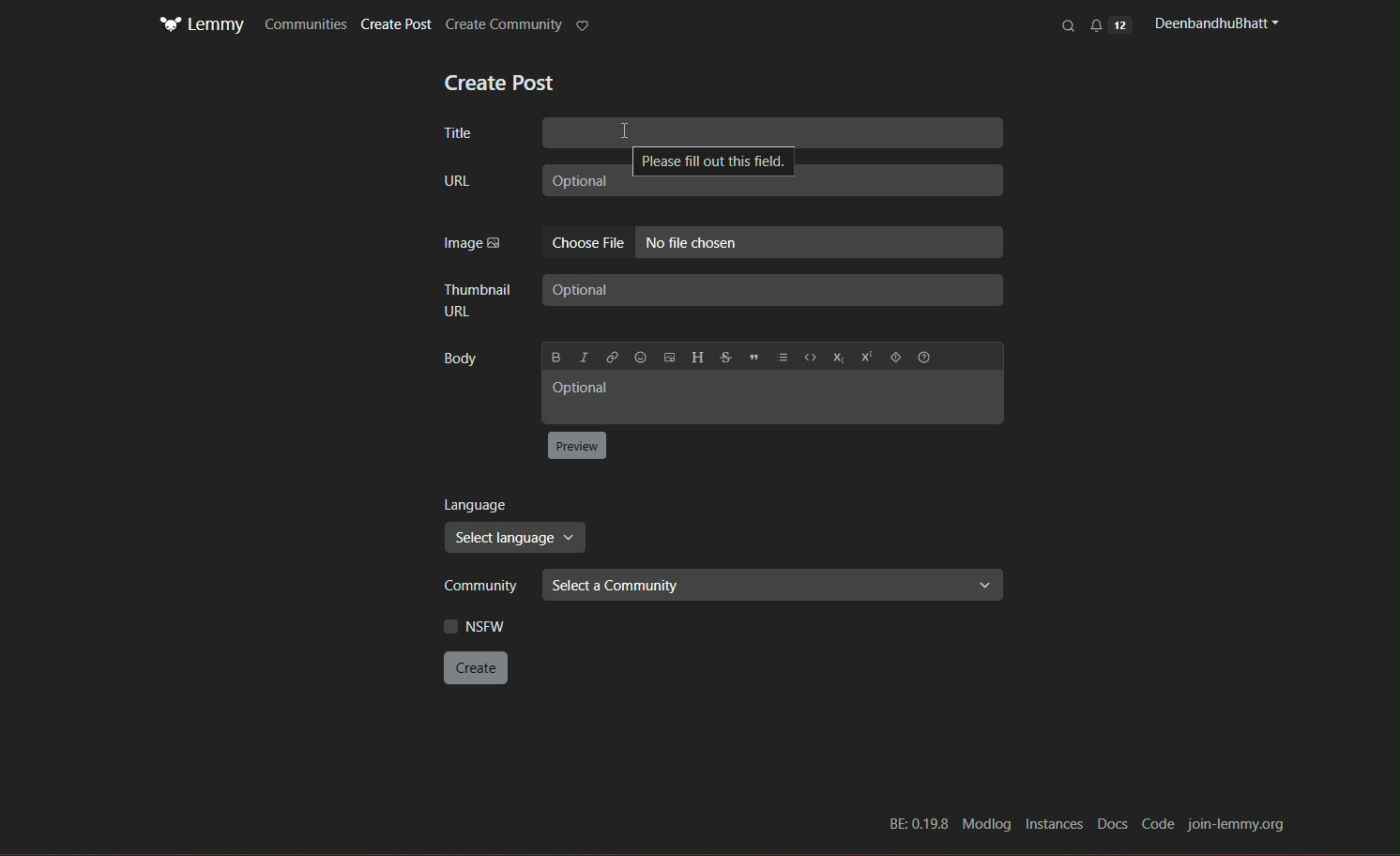 This screenshot has height=856, width=1400. I want to click on list, so click(780, 355).